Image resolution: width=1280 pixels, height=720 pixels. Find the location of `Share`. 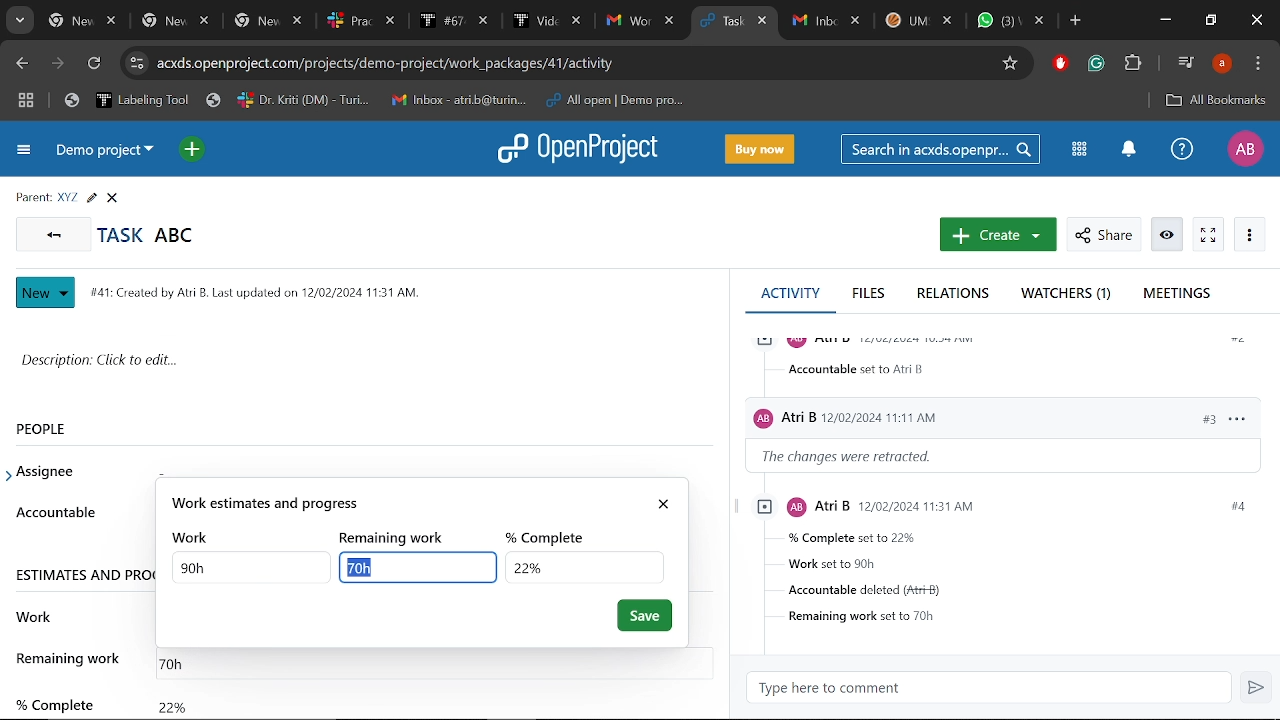

Share is located at coordinates (1102, 235).